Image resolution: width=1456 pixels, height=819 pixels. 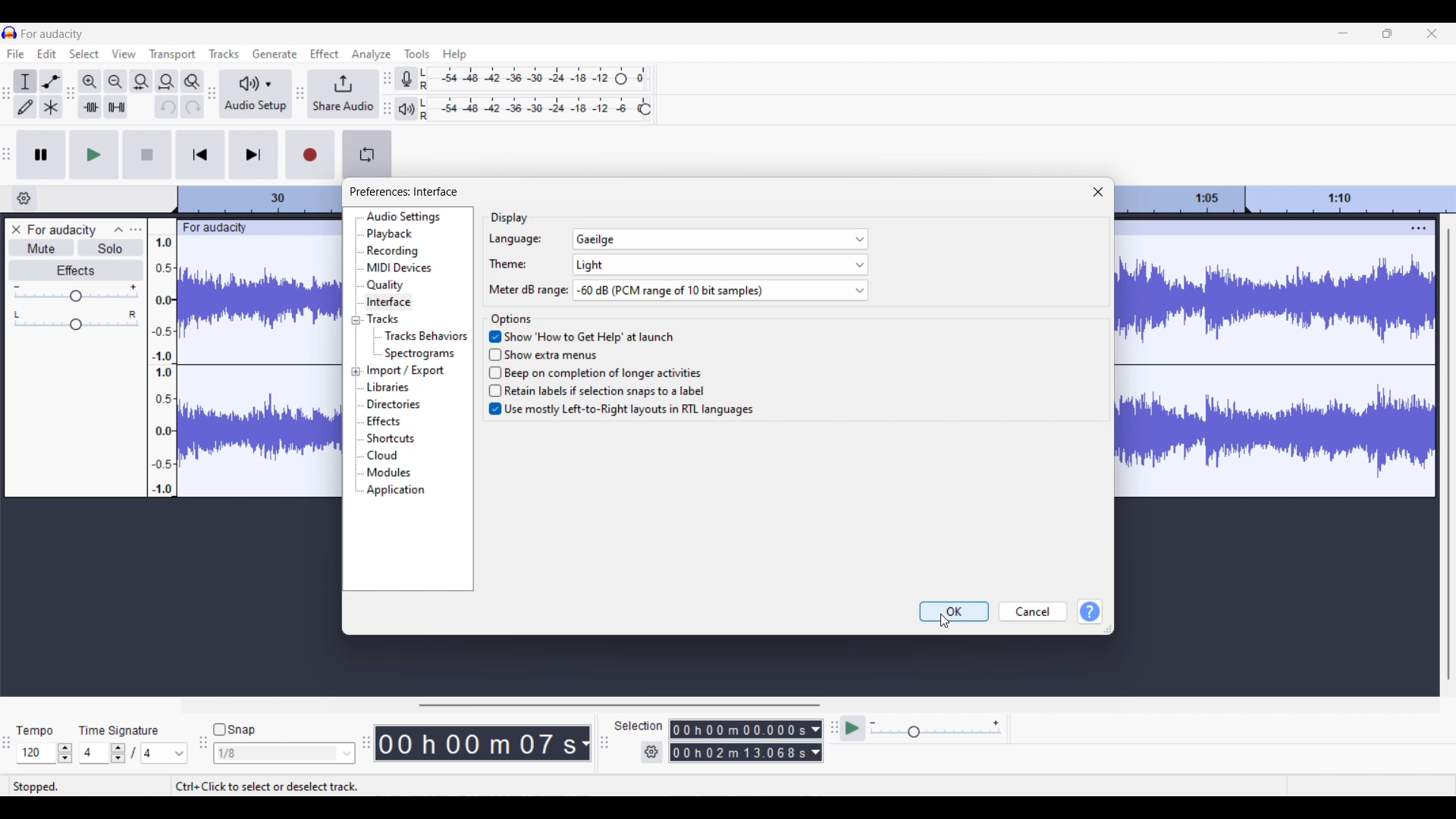 I want to click on Skip/Select to start, so click(x=201, y=155).